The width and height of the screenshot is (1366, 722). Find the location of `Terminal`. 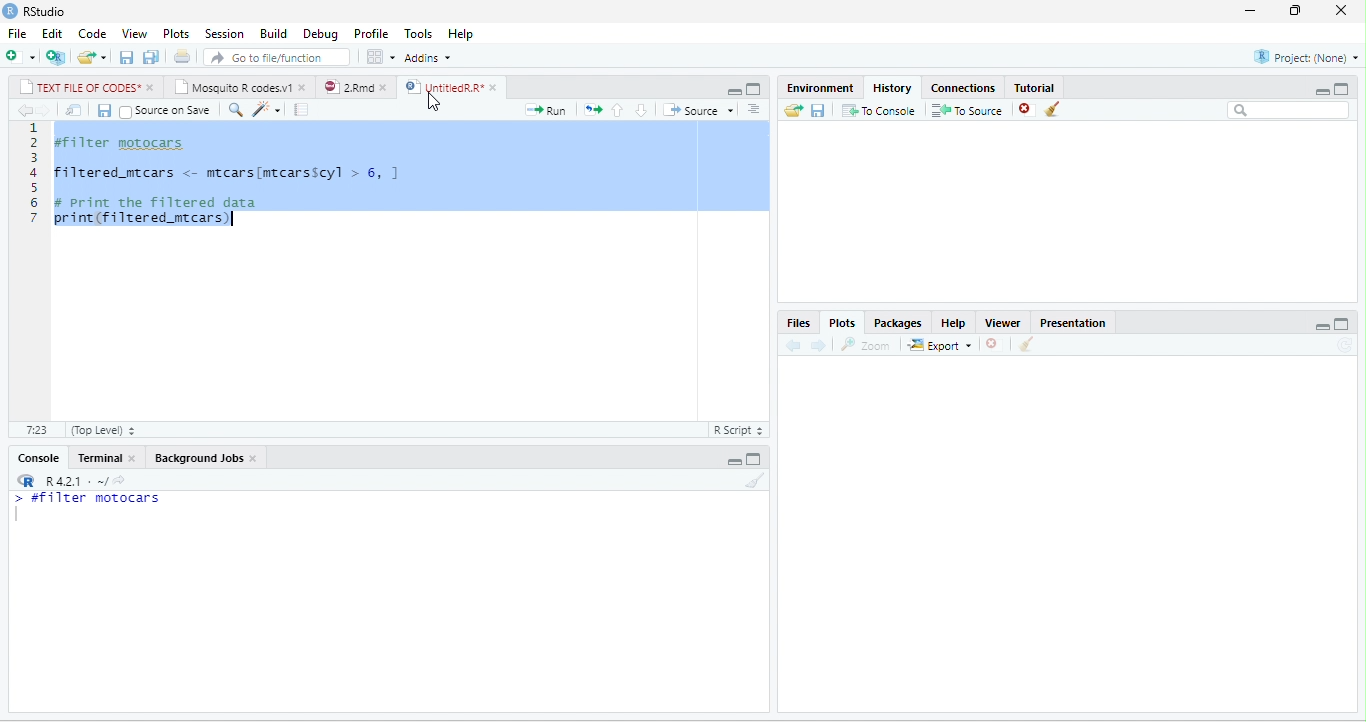

Terminal is located at coordinates (97, 457).